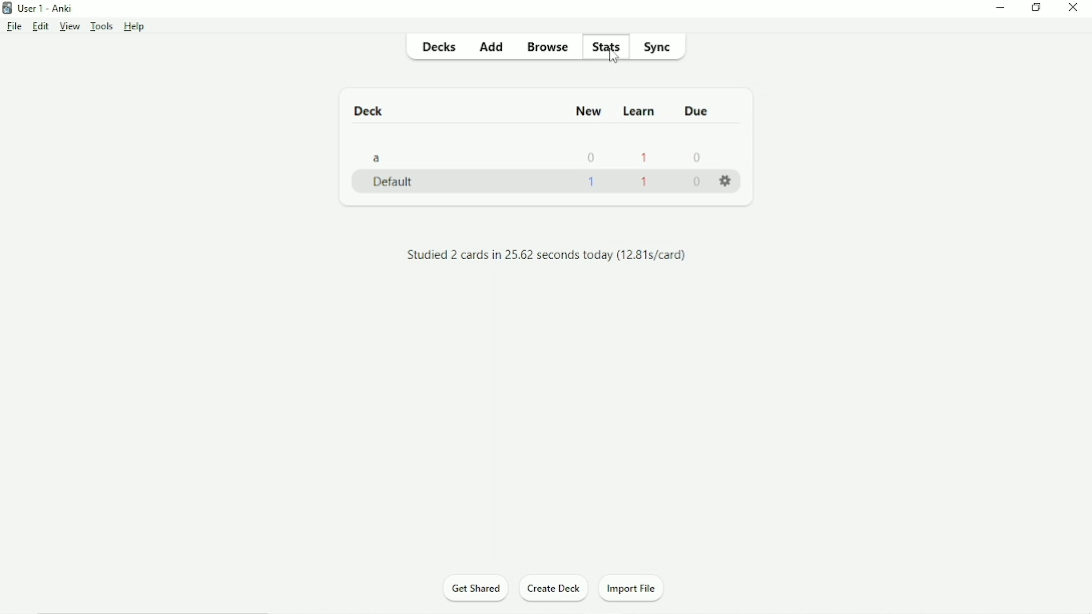 Image resolution: width=1092 pixels, height=614 pixels. I want to click on Close, so click(1073, 8).